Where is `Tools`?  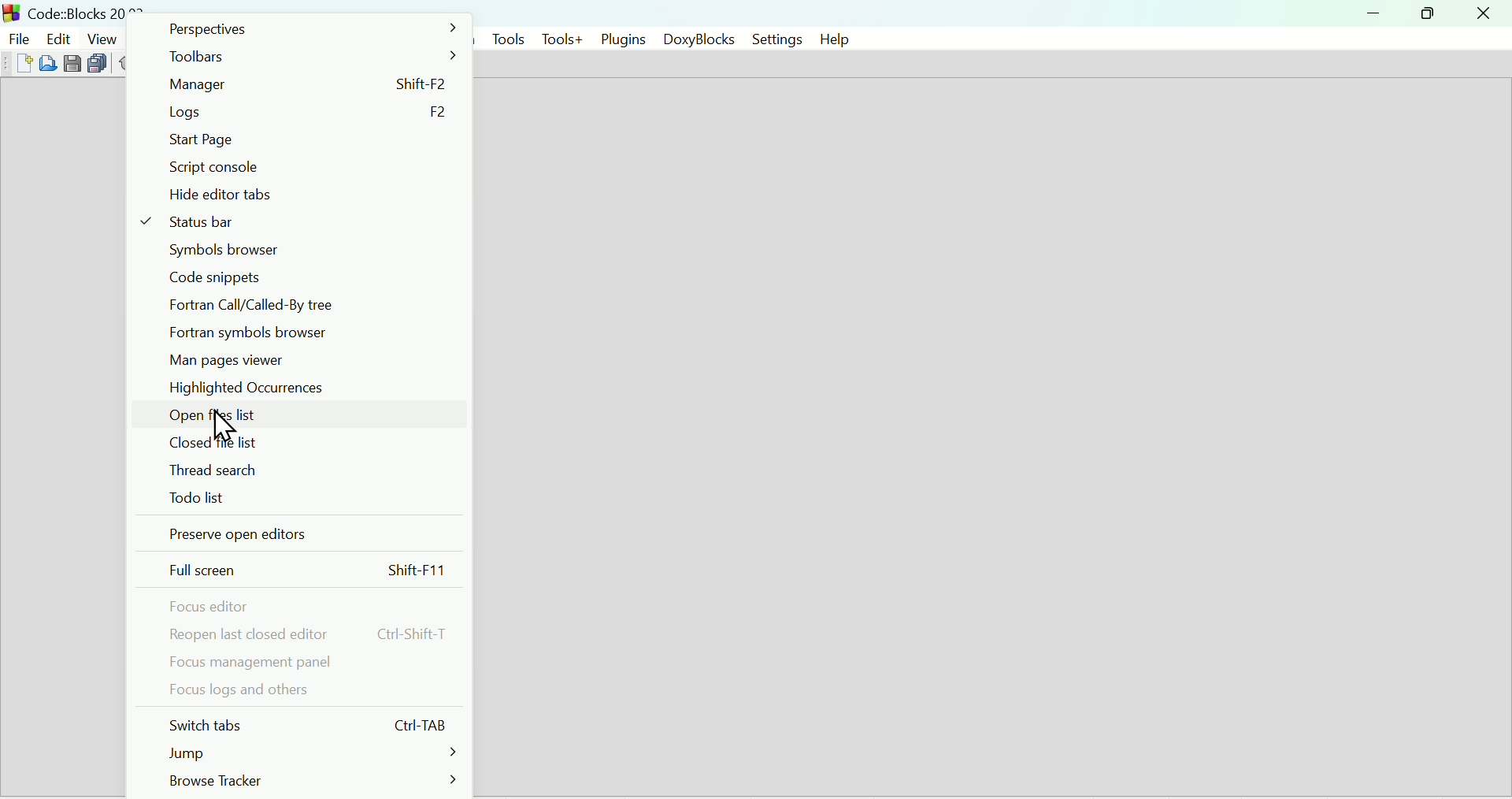
Tools is located at coordinates (505, 38).